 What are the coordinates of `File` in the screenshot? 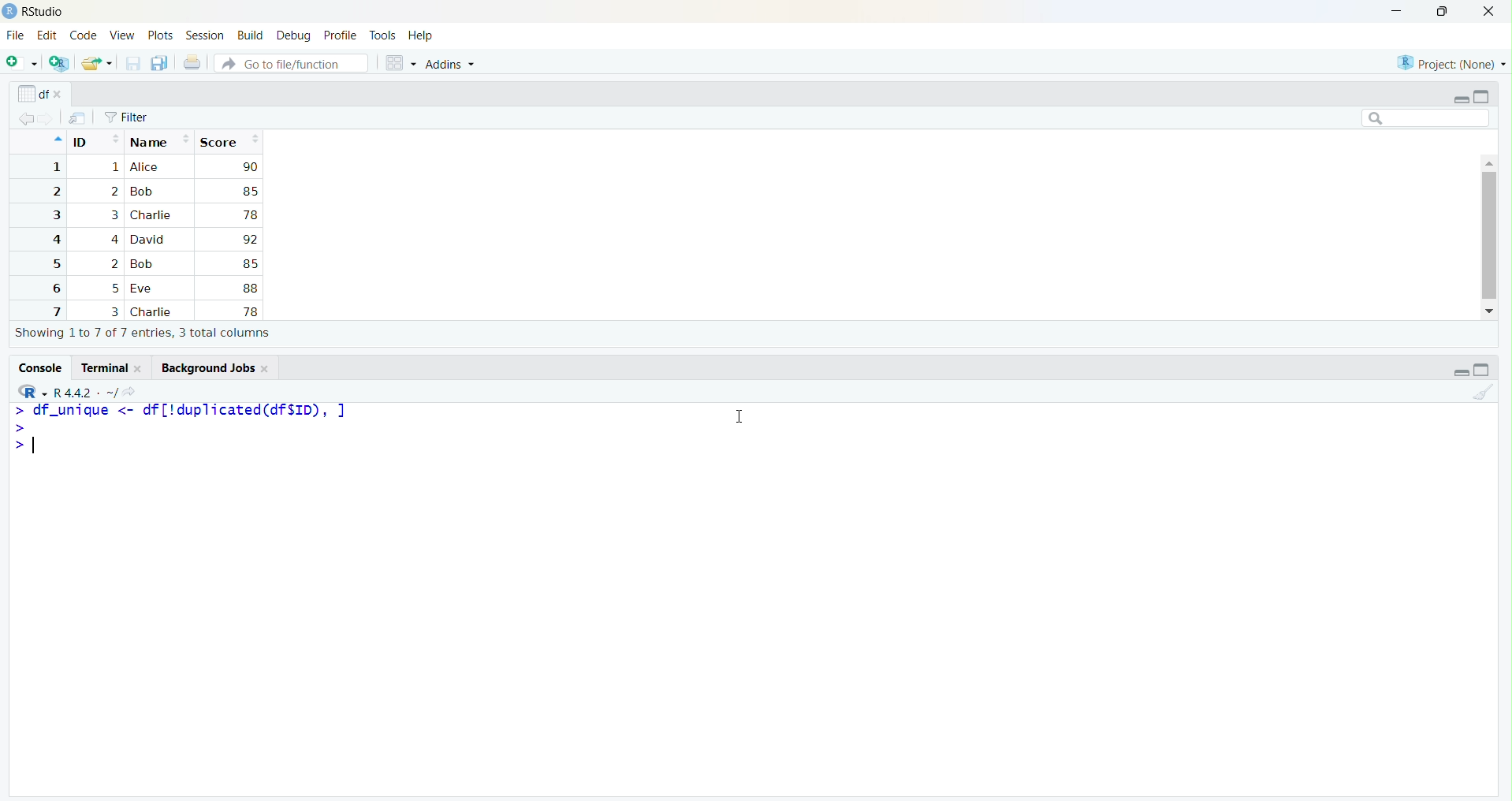 It's located at (15, 36).